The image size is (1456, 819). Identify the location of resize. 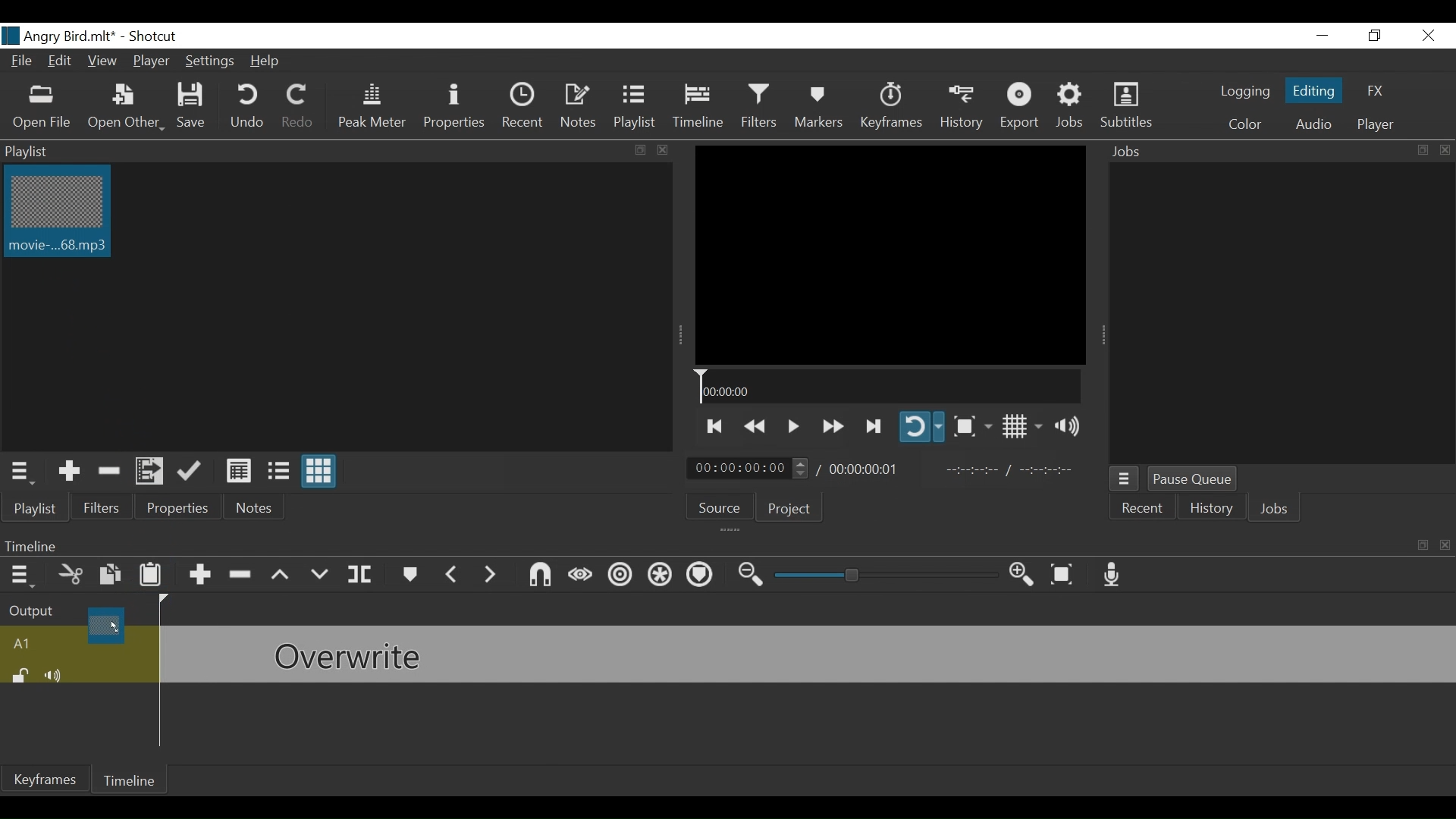
(639, 150).